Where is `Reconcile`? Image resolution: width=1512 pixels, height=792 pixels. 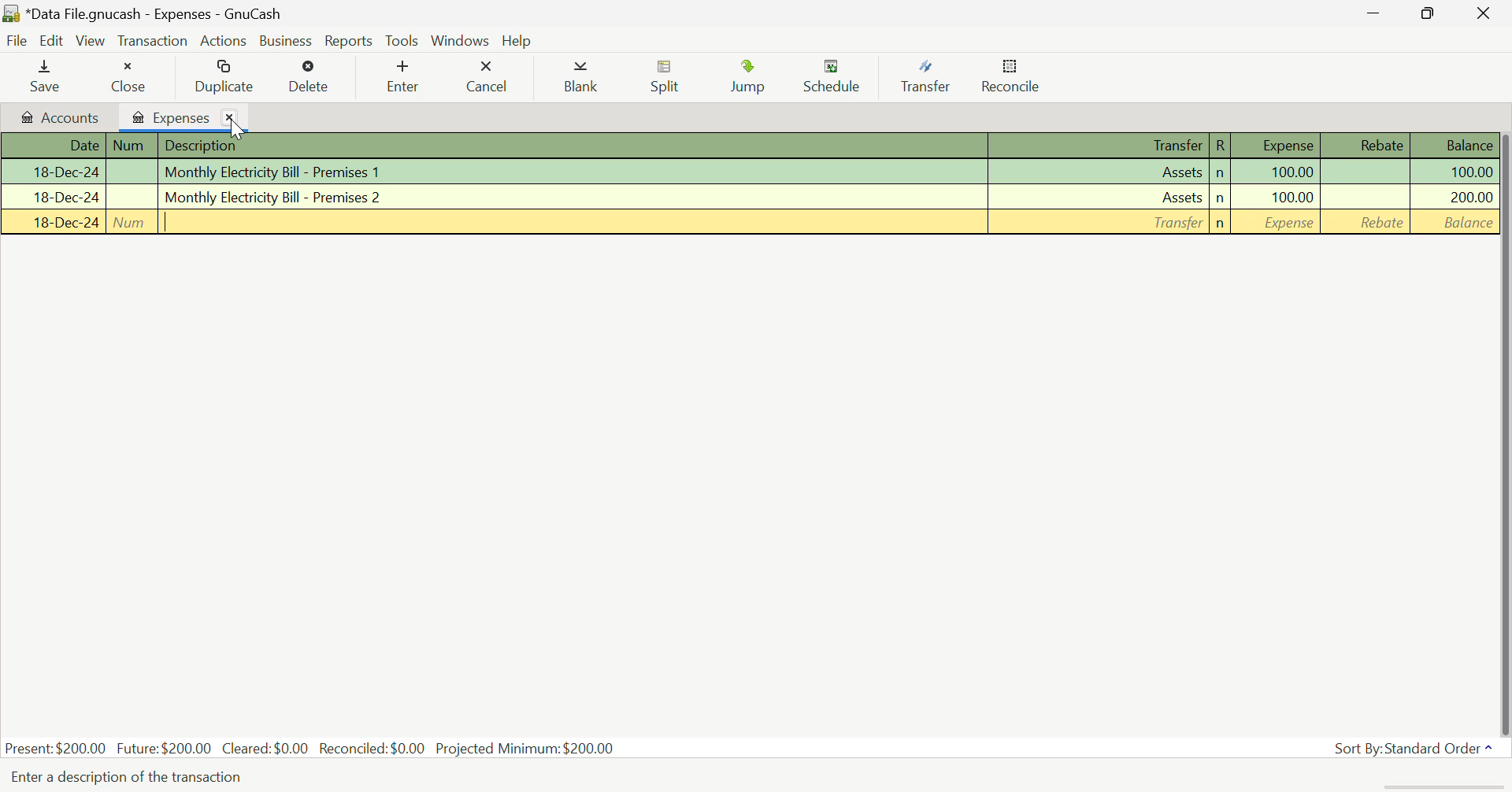 Reconcile is located at coordinates (1010, 80).